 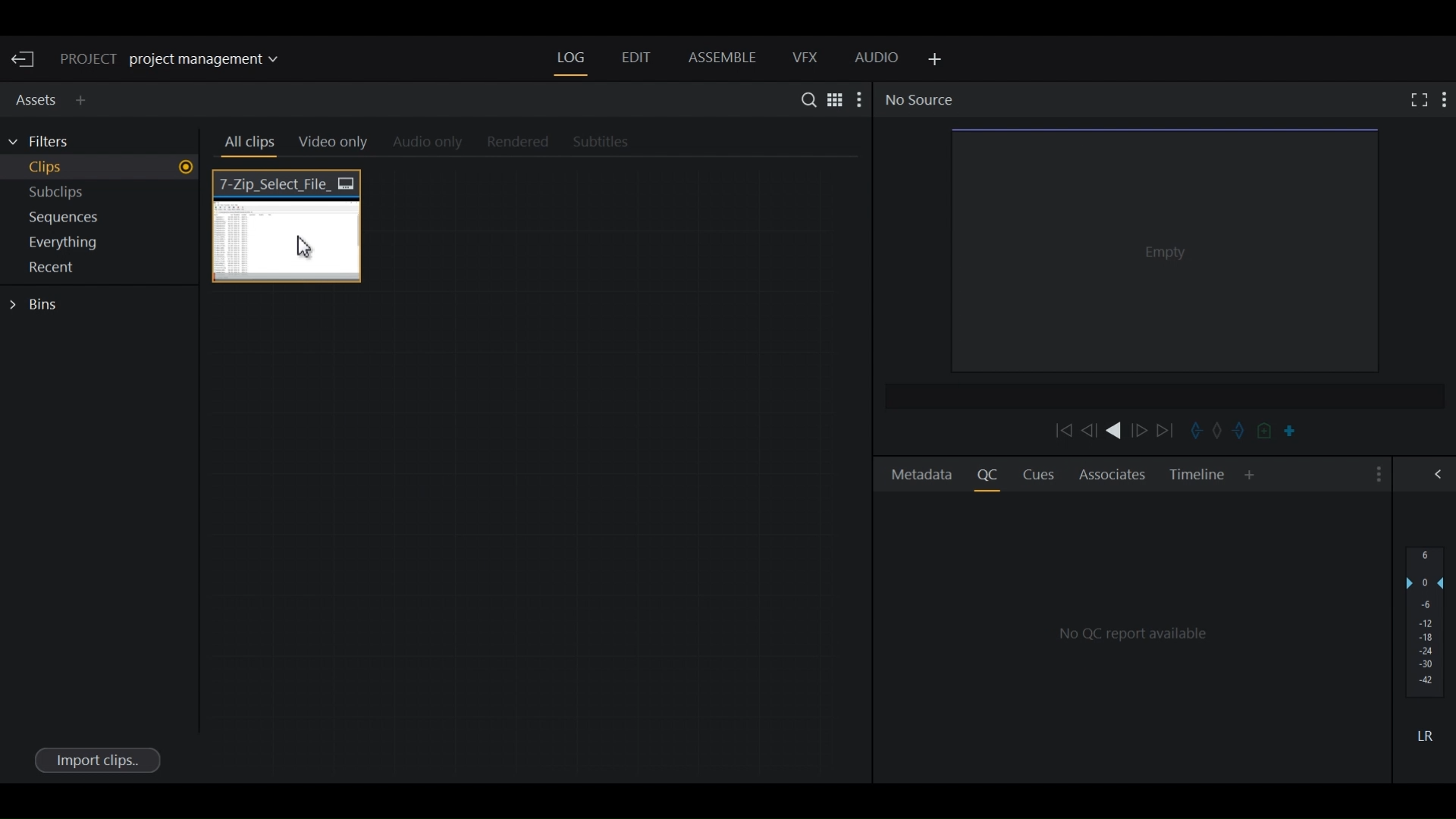 I want to click on Mark in, so click(x=1194, y=430).